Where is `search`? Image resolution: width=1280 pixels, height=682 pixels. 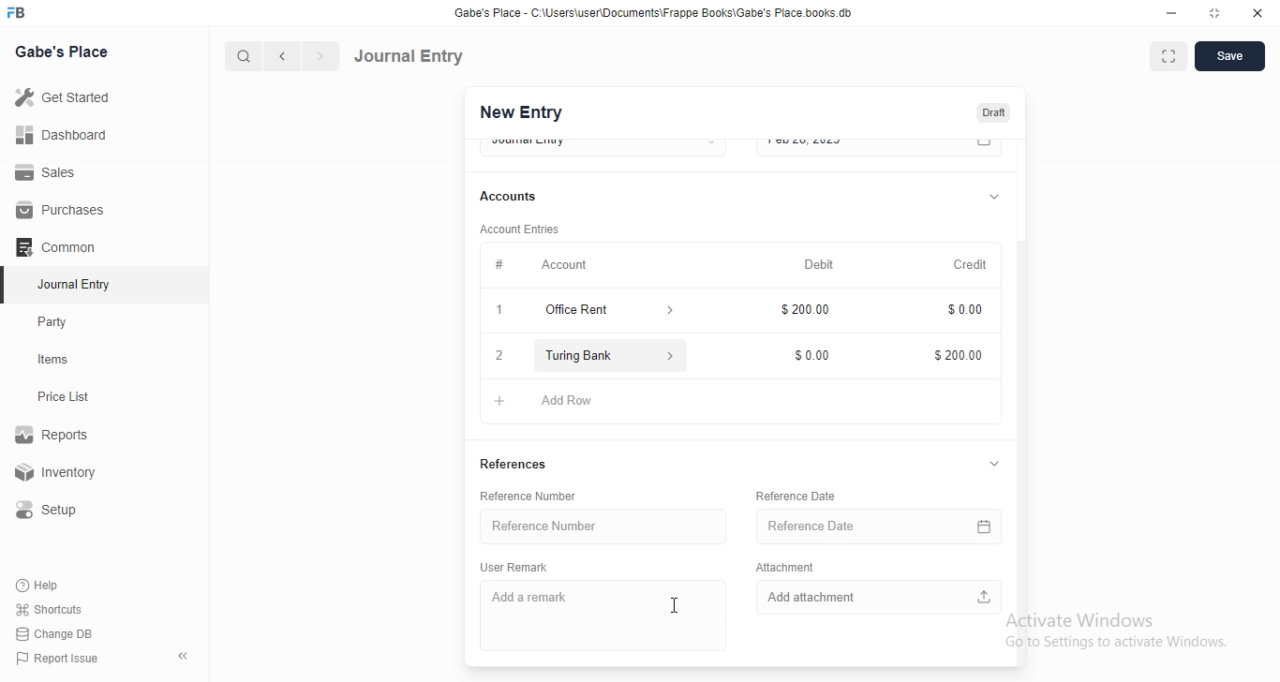 search is located at coordinates (241, 56).